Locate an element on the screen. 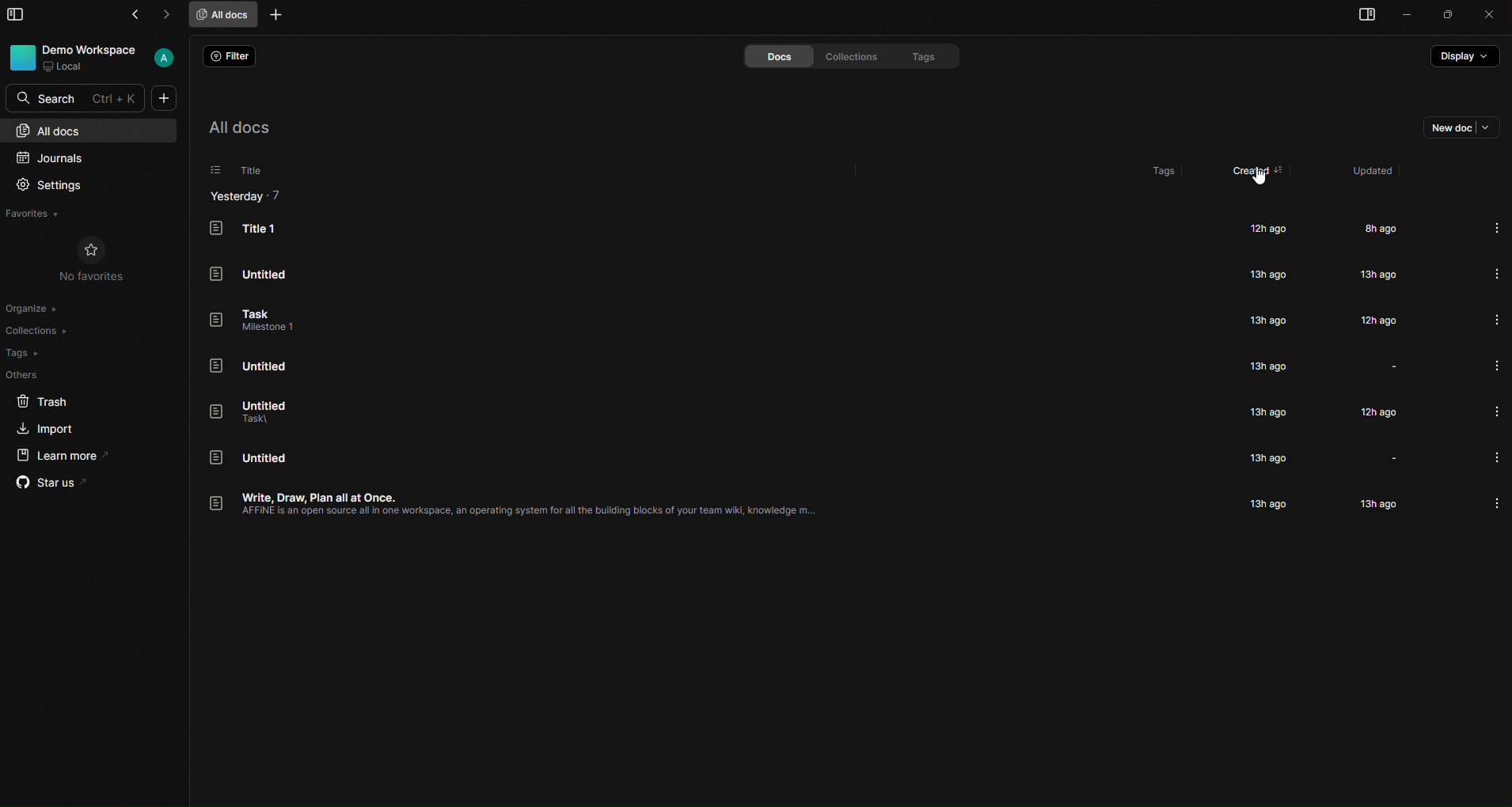  new doc is located at coordinates (165, 99).